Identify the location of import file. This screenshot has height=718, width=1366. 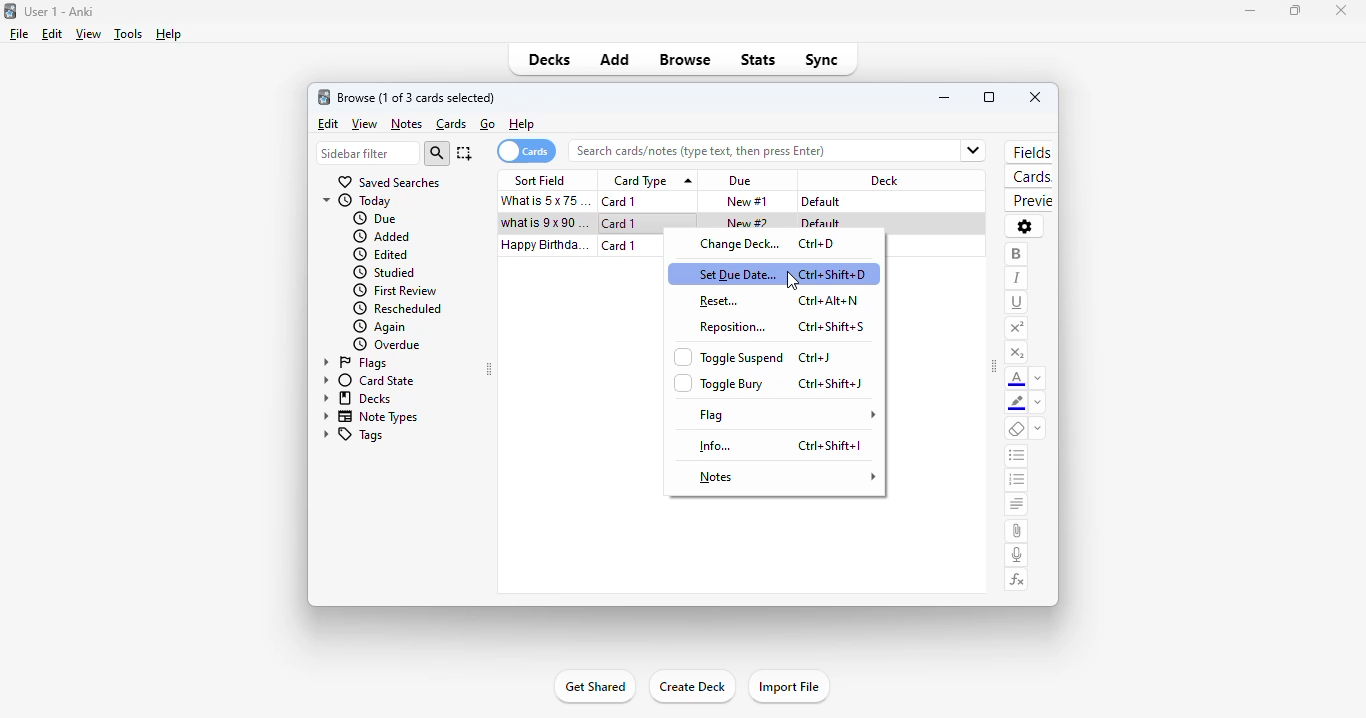
(790, 686).